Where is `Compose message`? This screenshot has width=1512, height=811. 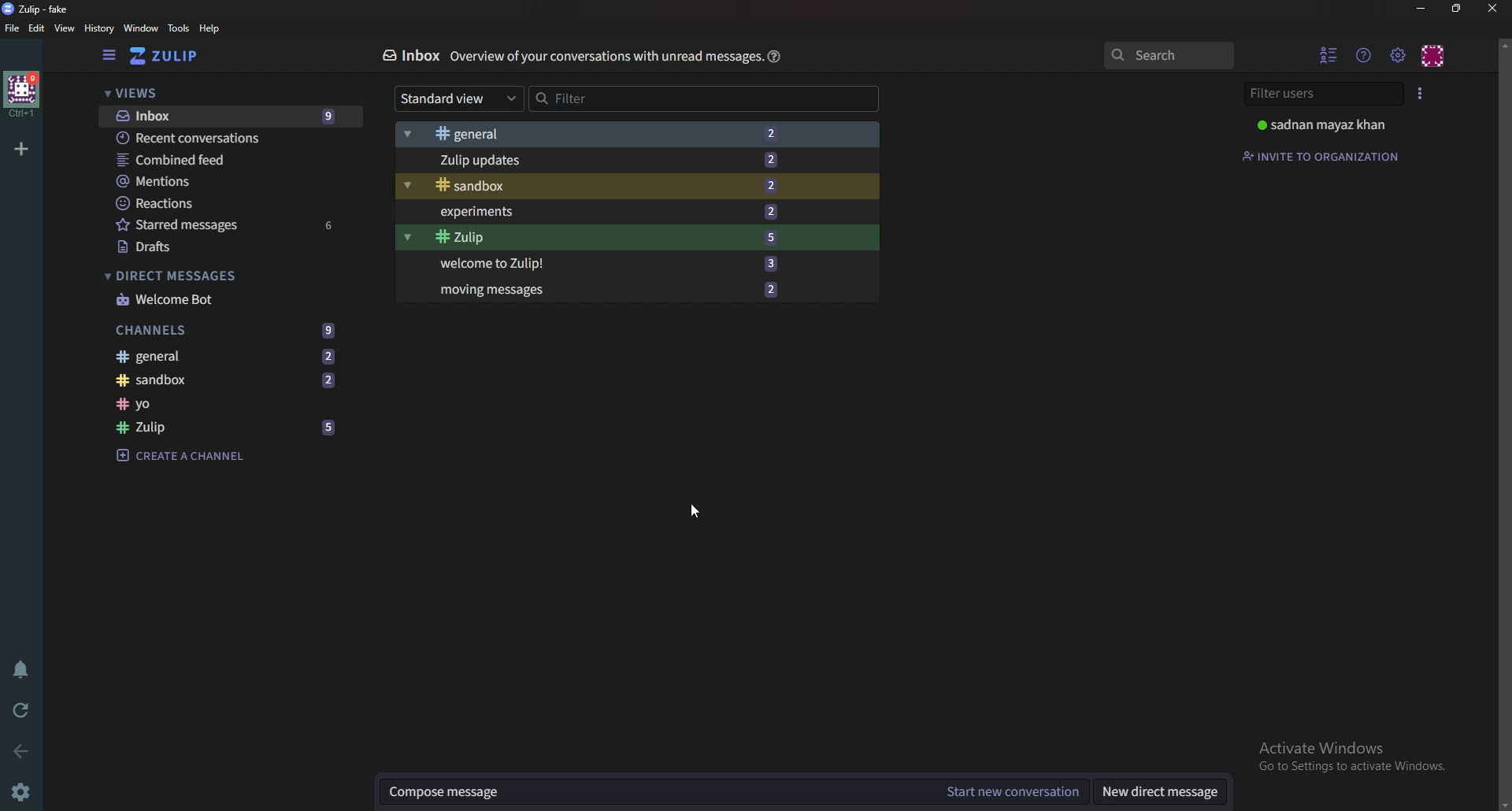
Compose message is located at coordinates (654, 793).